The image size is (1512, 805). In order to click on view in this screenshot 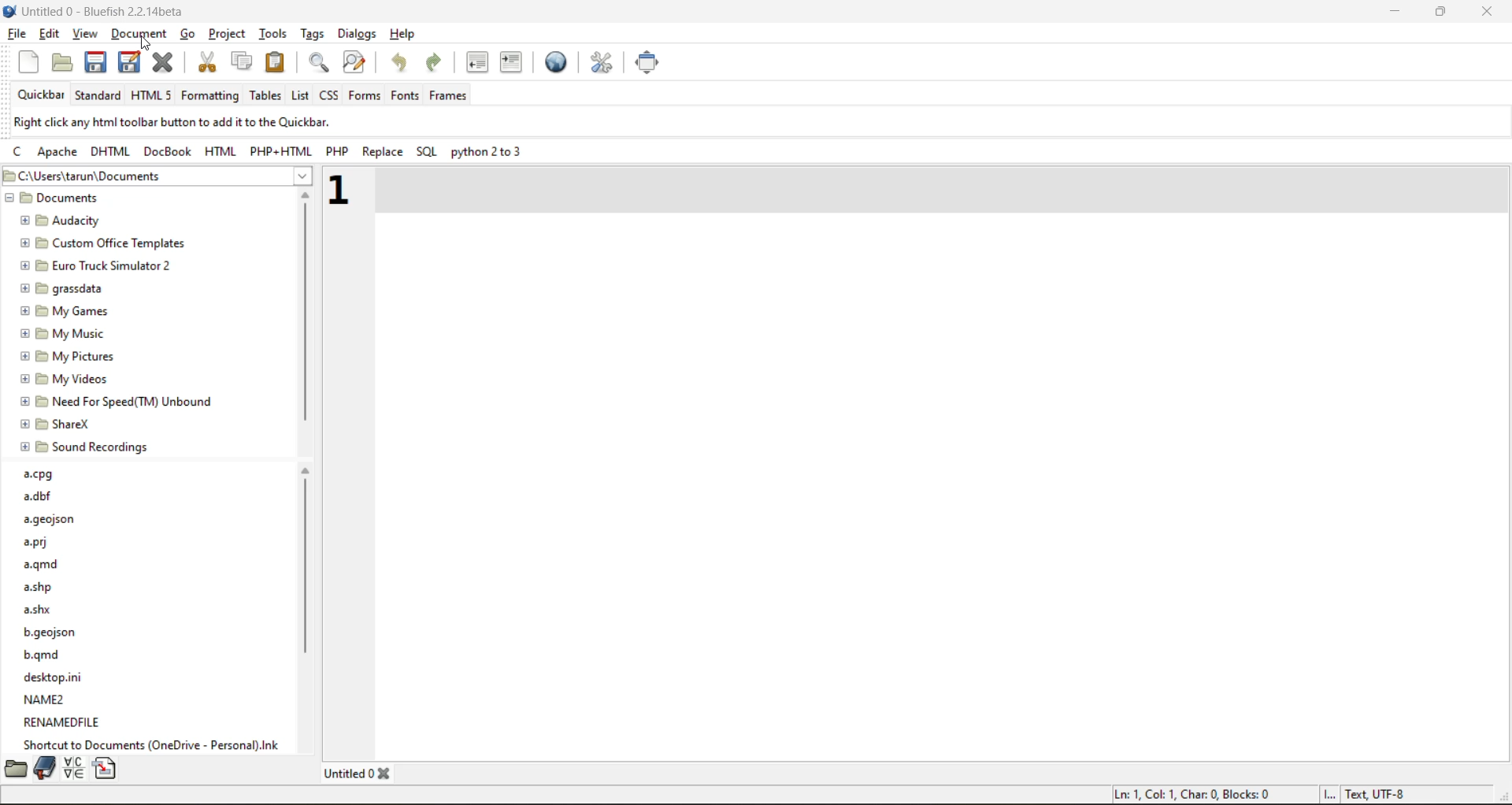, I will do `click(84, 34)`.